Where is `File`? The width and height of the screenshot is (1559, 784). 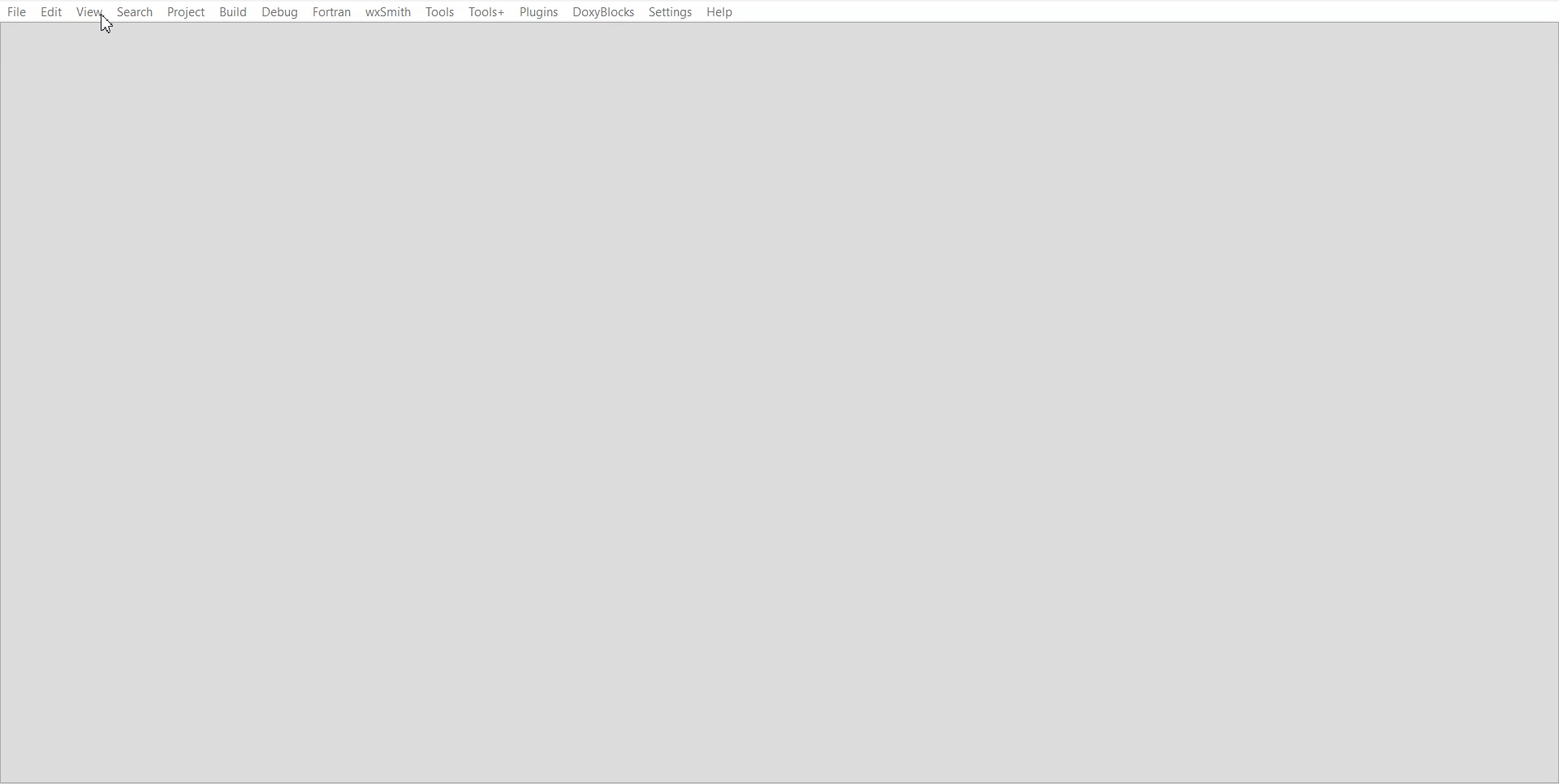 File is located at coordinates (18, 12).